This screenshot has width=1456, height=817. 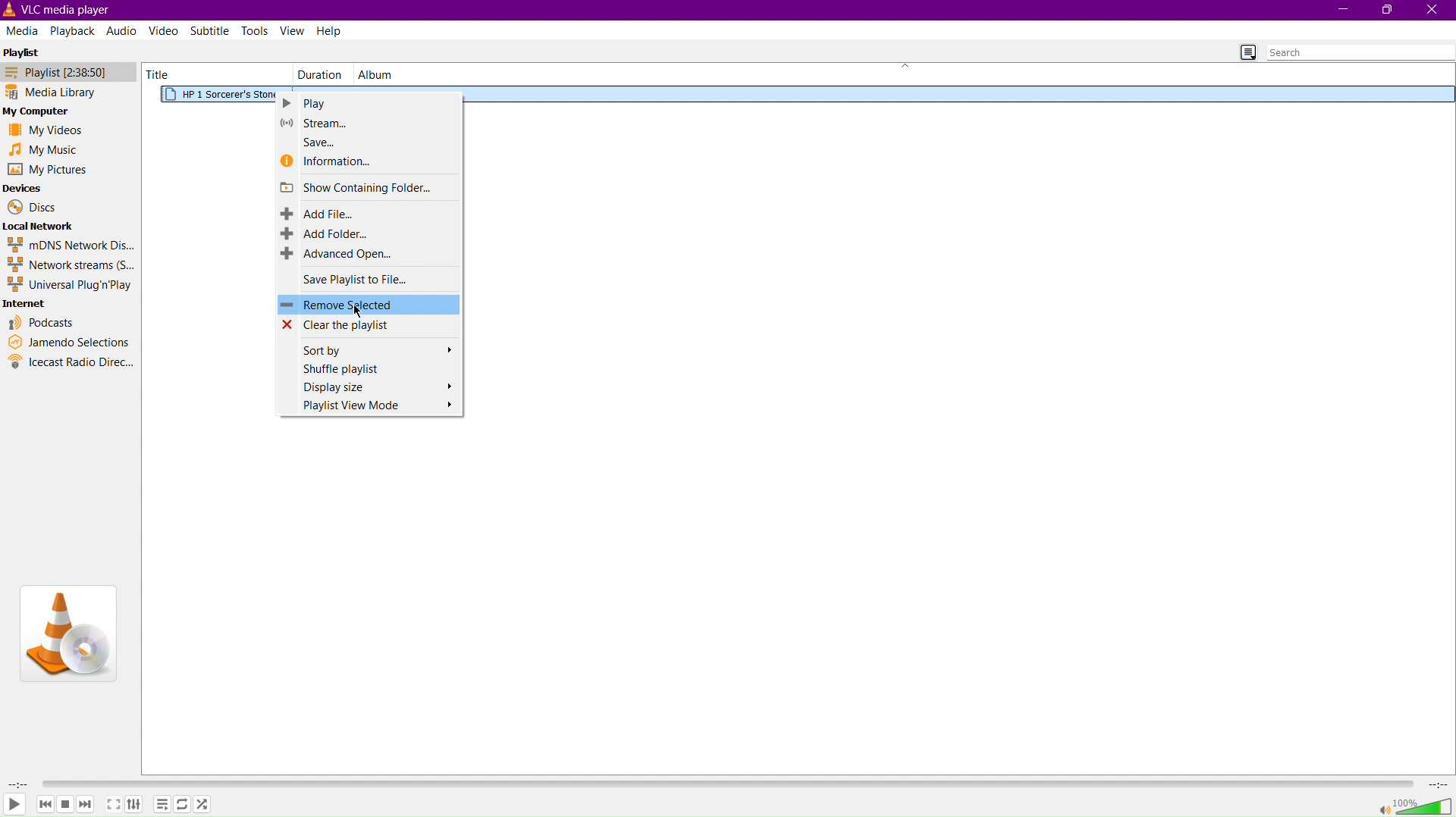 I want to click on My Music, so click(x=45, y=149).